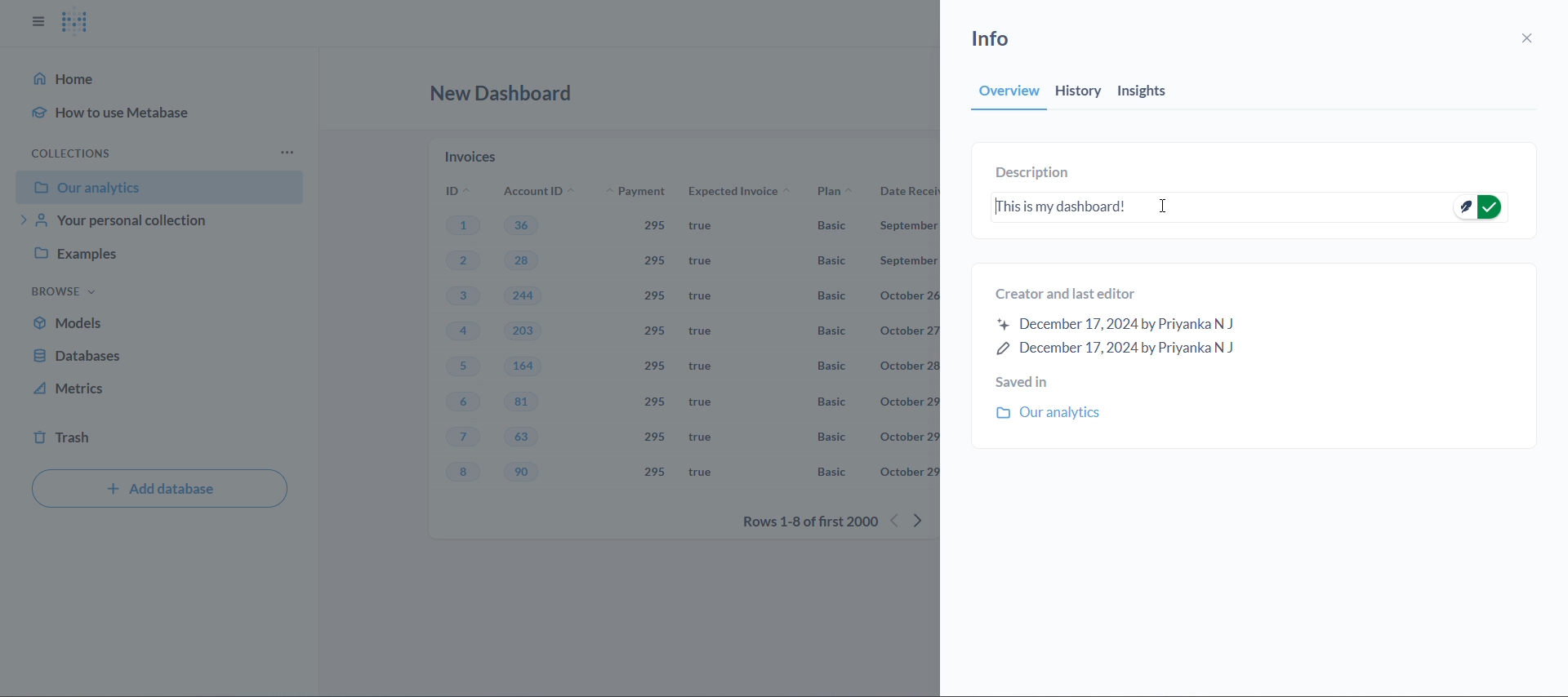 The height and width of the screenshot is (697, 1568). What do you see at coordinates (523, 402) in the screenshot?
I see `81` at bounding box center [523, 402].